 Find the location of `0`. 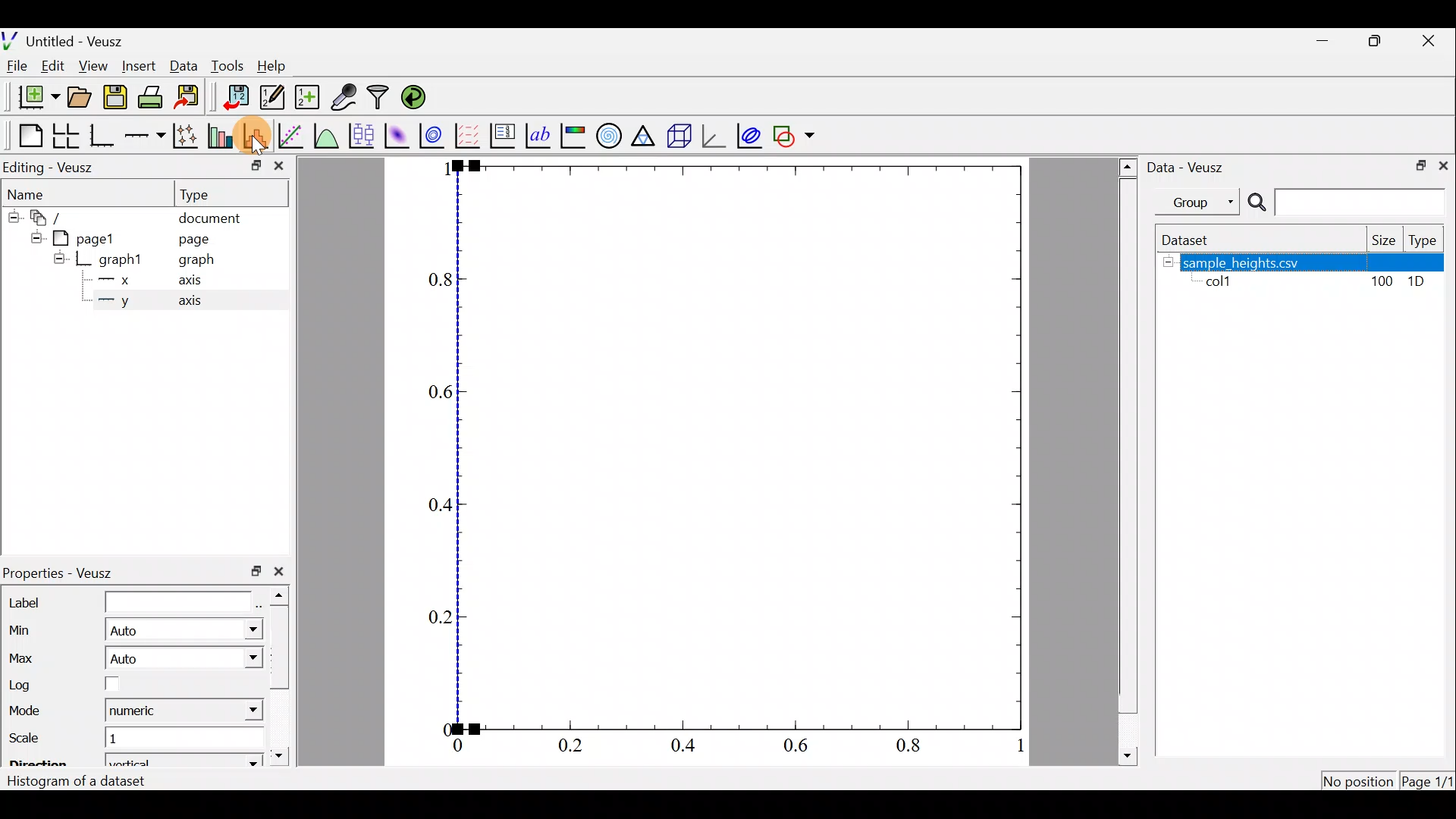

0 is located at coordinates (440, 726).